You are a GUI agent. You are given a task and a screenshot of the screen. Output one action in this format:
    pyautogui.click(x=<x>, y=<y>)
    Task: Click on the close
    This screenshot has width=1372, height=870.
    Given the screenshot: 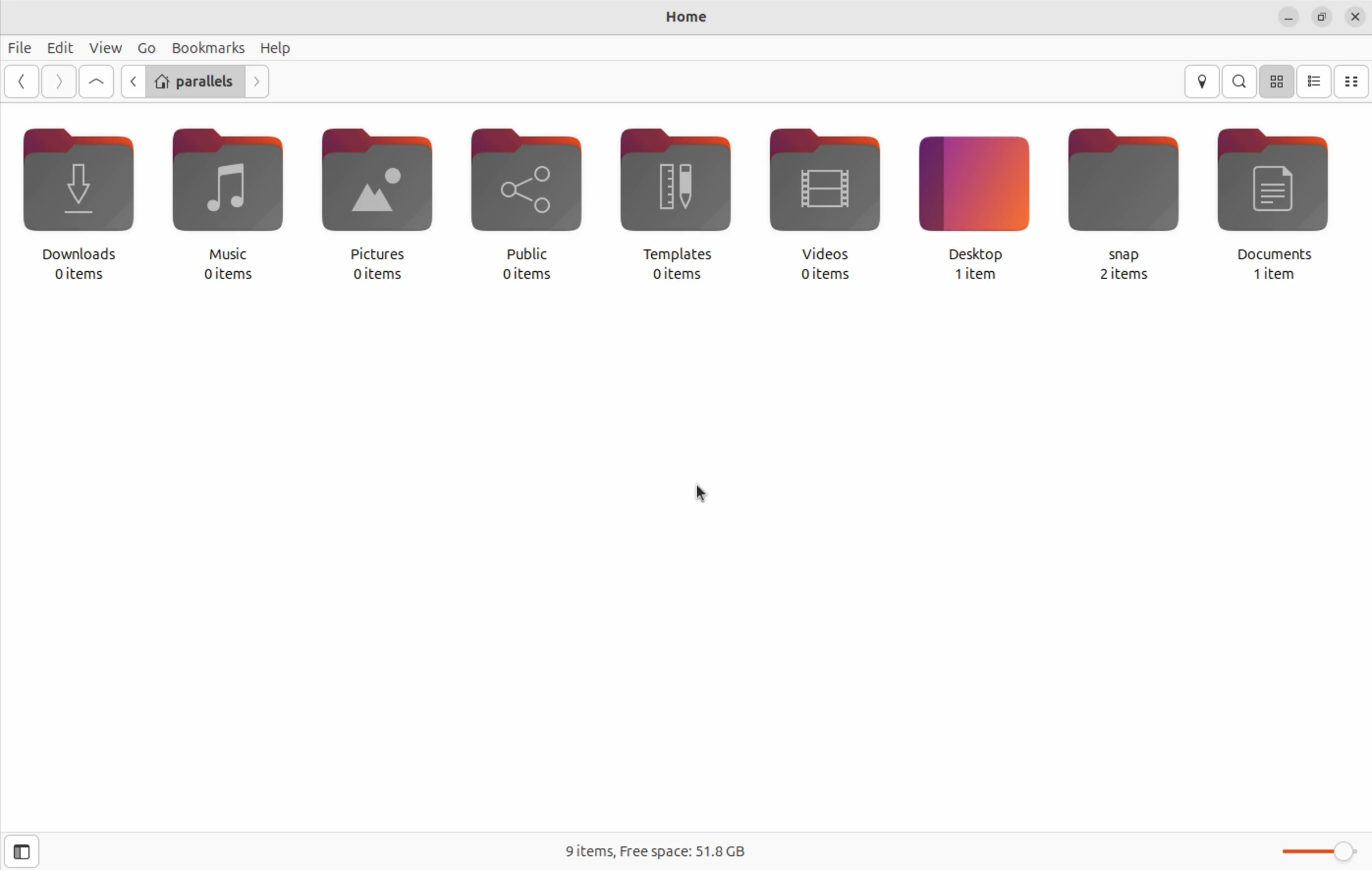 What is the action you would take?
    pyautogui.click(x=1355, y=15)
    